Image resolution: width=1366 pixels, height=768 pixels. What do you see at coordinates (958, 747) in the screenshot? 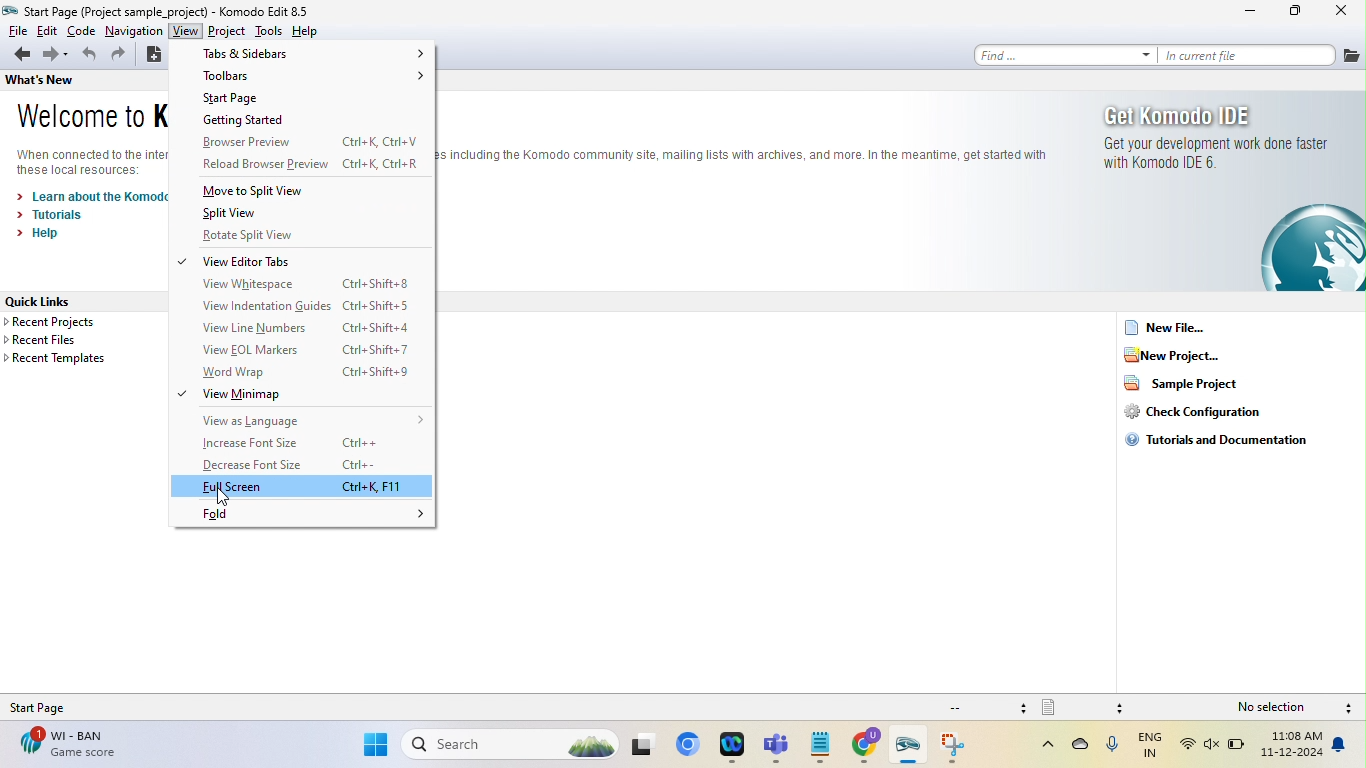
I see `apps on taskbar` at bounding box center [958, 747].